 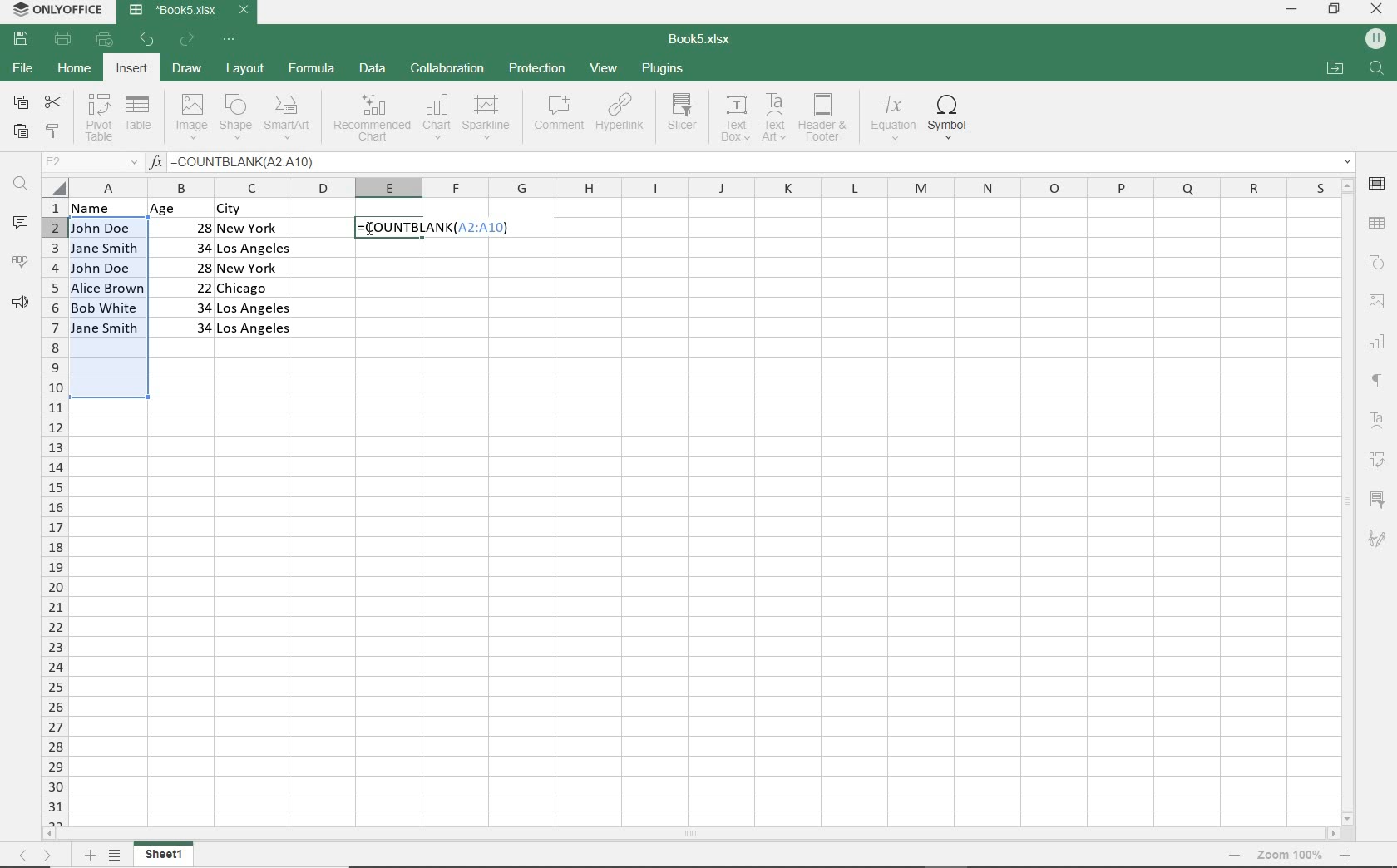 I want to click on Alice Brown, so click(x=107, y=288).